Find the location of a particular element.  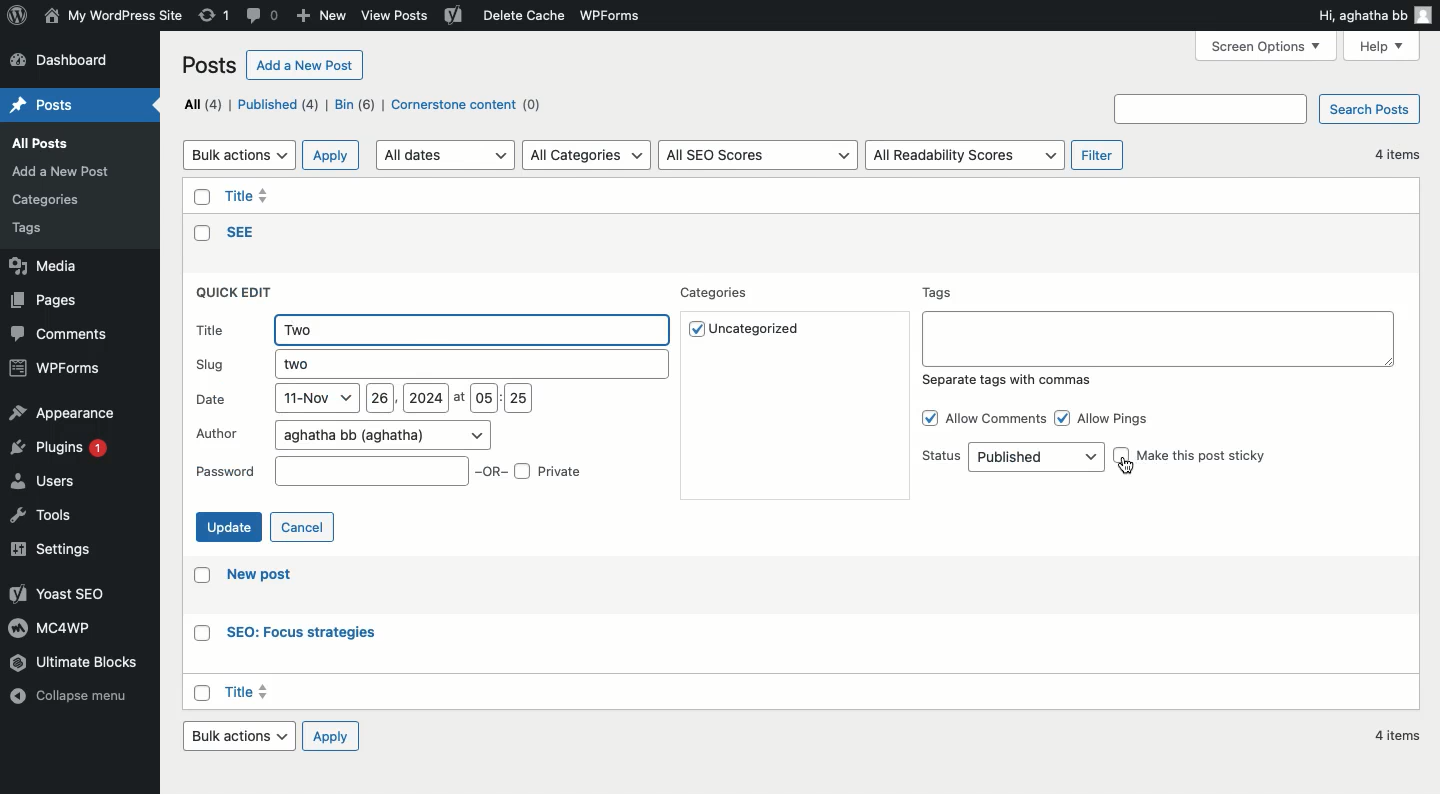

Ultimate blocks is located at coordinates (89, 663).